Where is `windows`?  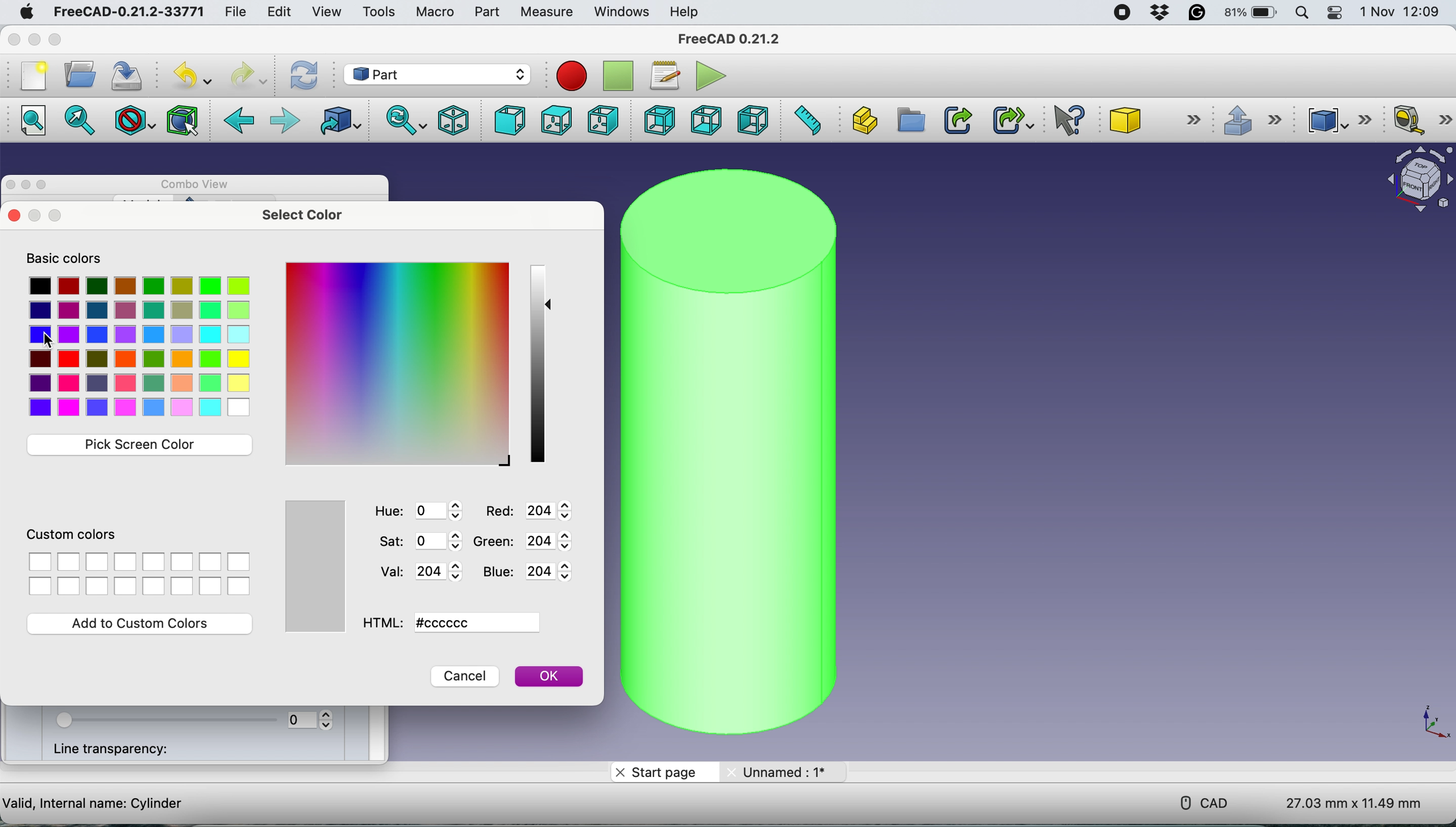
windows is located at coordinates (623, 14).